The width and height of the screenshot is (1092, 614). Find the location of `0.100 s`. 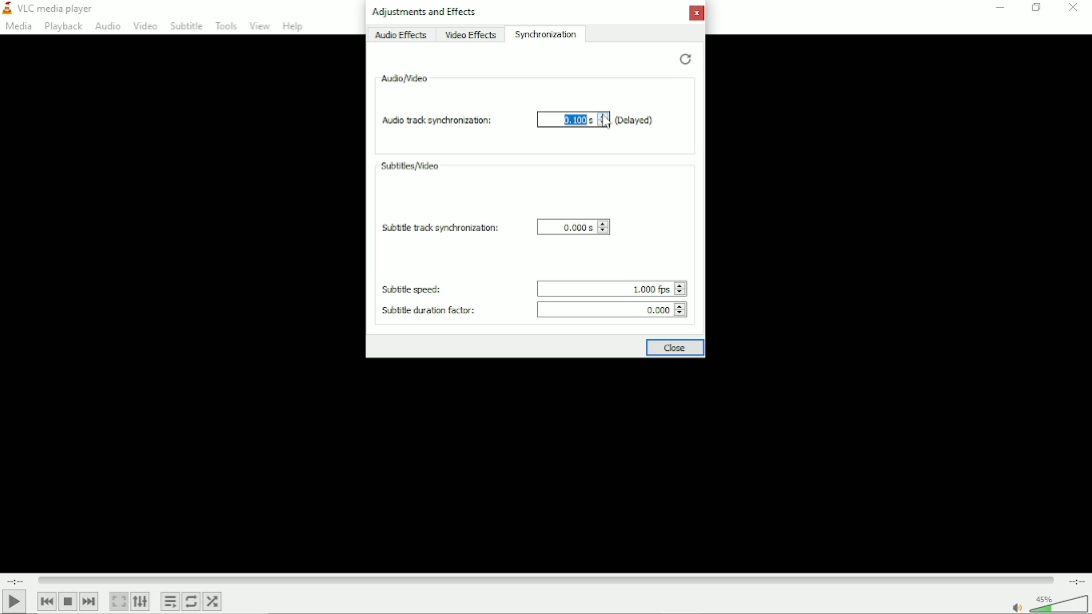

0.100 s is located at coordinates (578, 120).